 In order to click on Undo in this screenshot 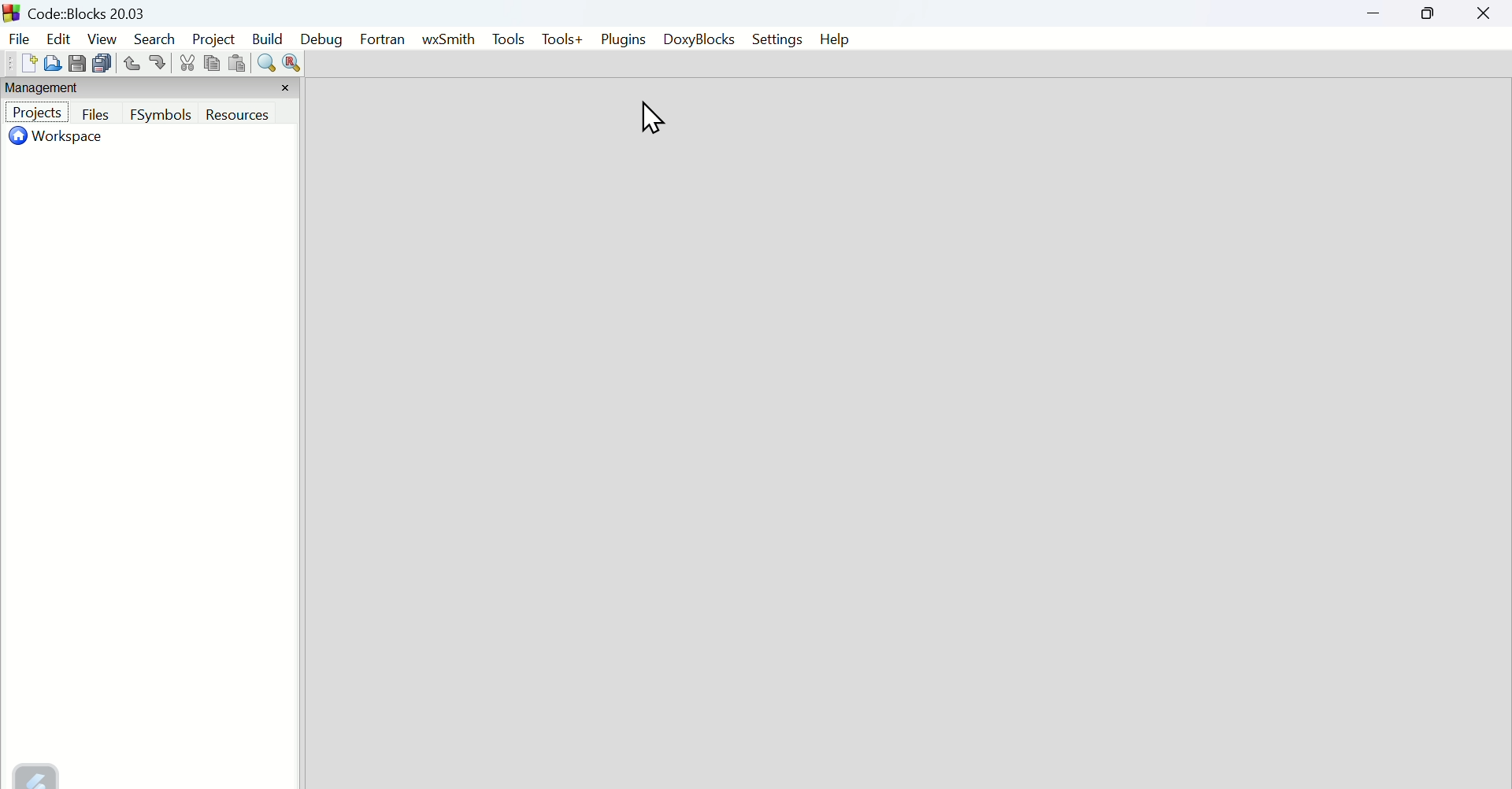, I will do `click(132, 62)`.